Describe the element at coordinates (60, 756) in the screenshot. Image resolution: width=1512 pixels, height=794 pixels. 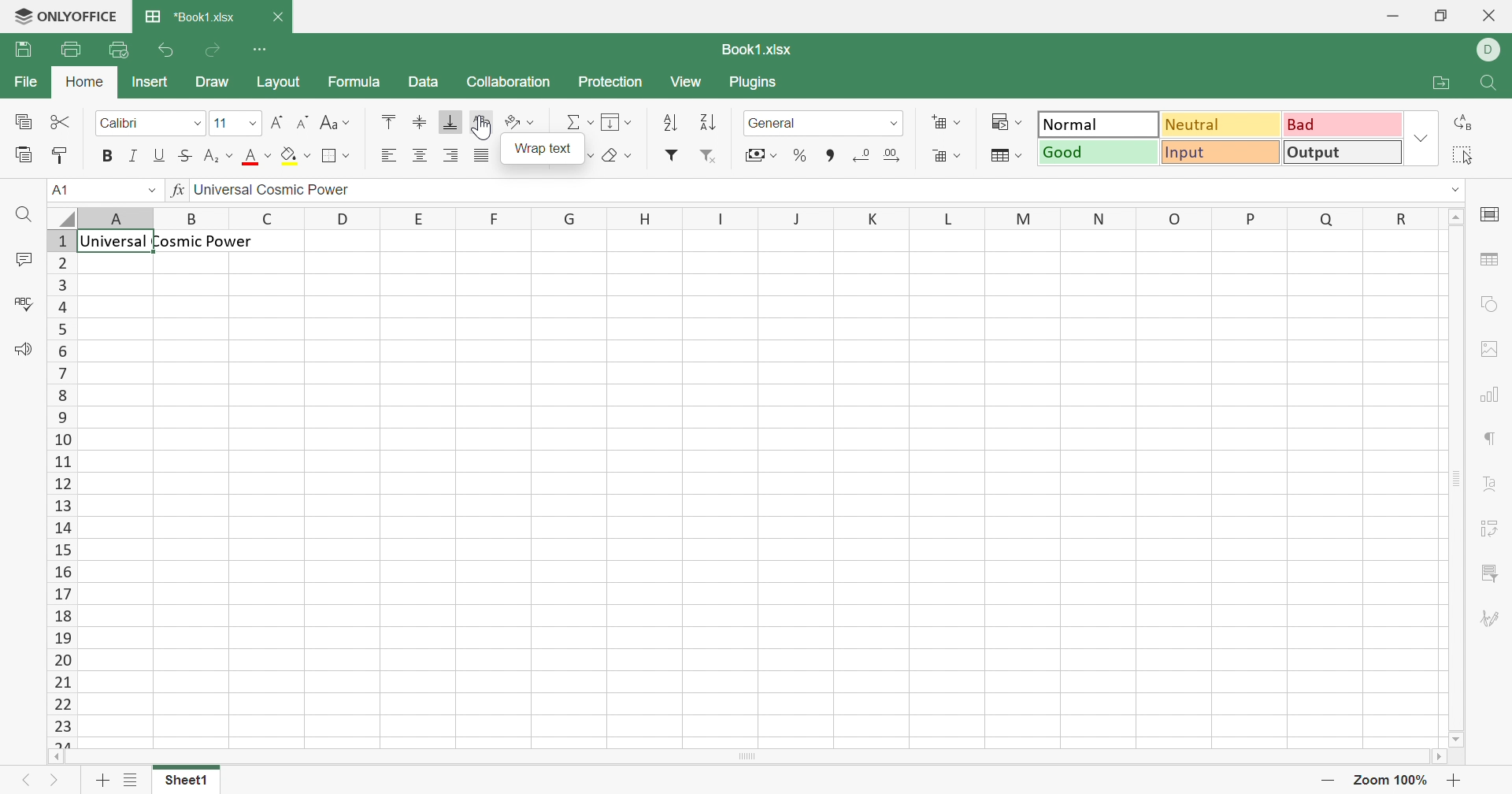
I see `Scroll Left` at that location.